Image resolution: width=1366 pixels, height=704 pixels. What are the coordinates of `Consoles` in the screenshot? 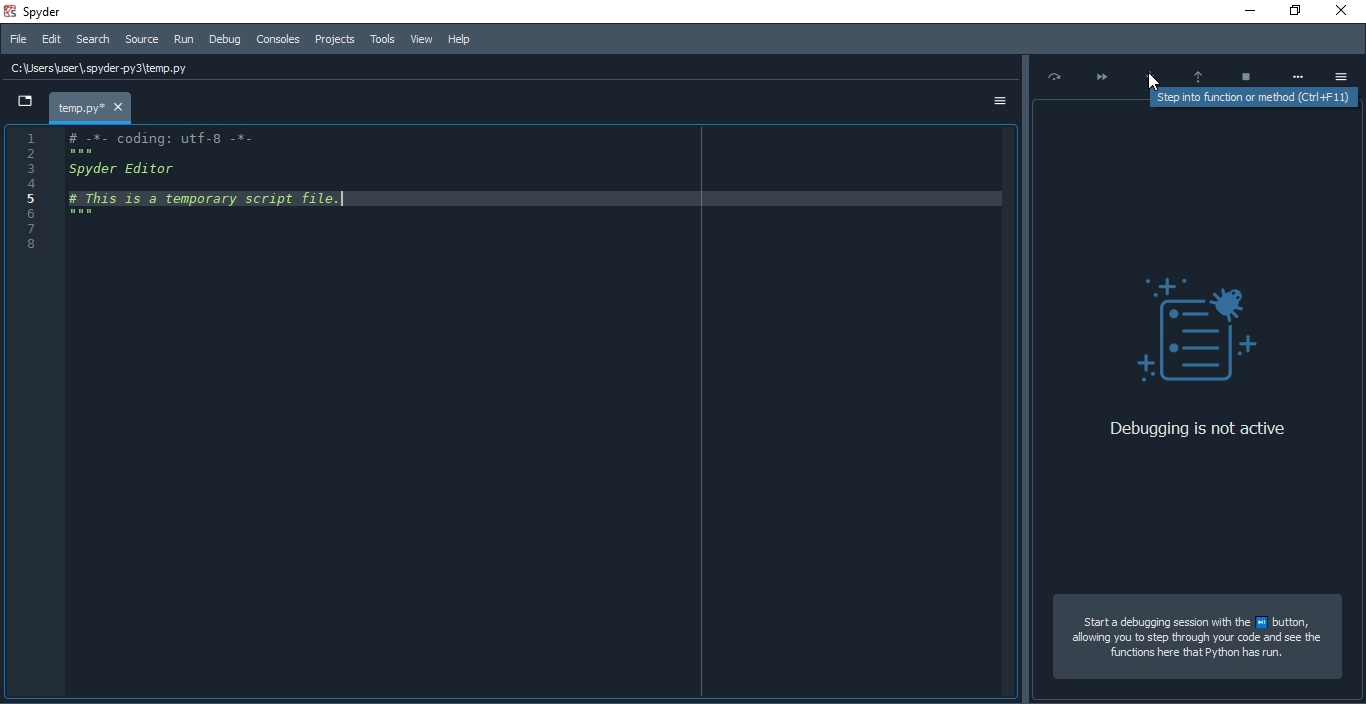 It's located at (334, 39).